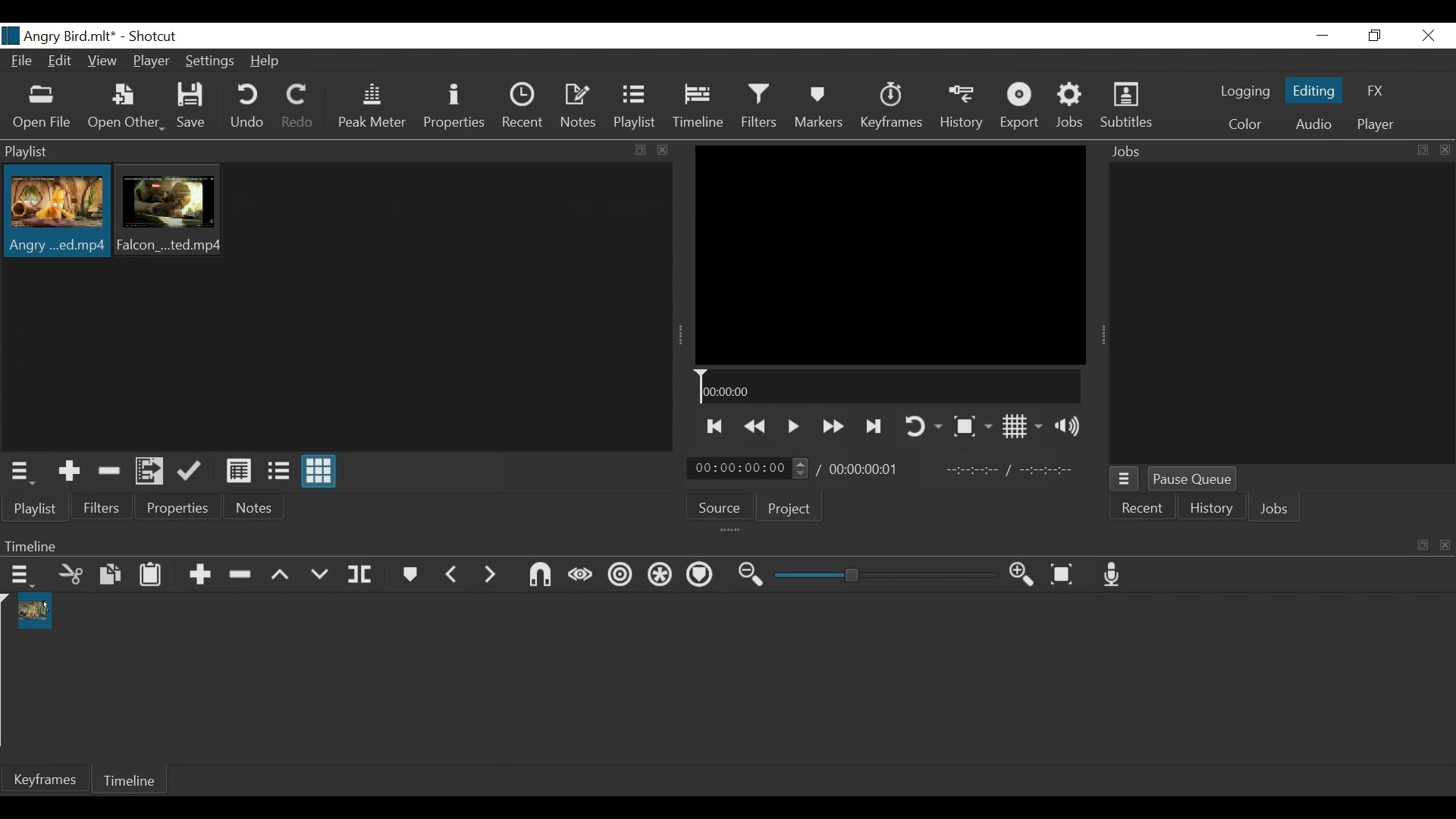  What do you see at coordinates (256, 507) in the screenshot?
I see `Notes` at bounding box center [256, 507].